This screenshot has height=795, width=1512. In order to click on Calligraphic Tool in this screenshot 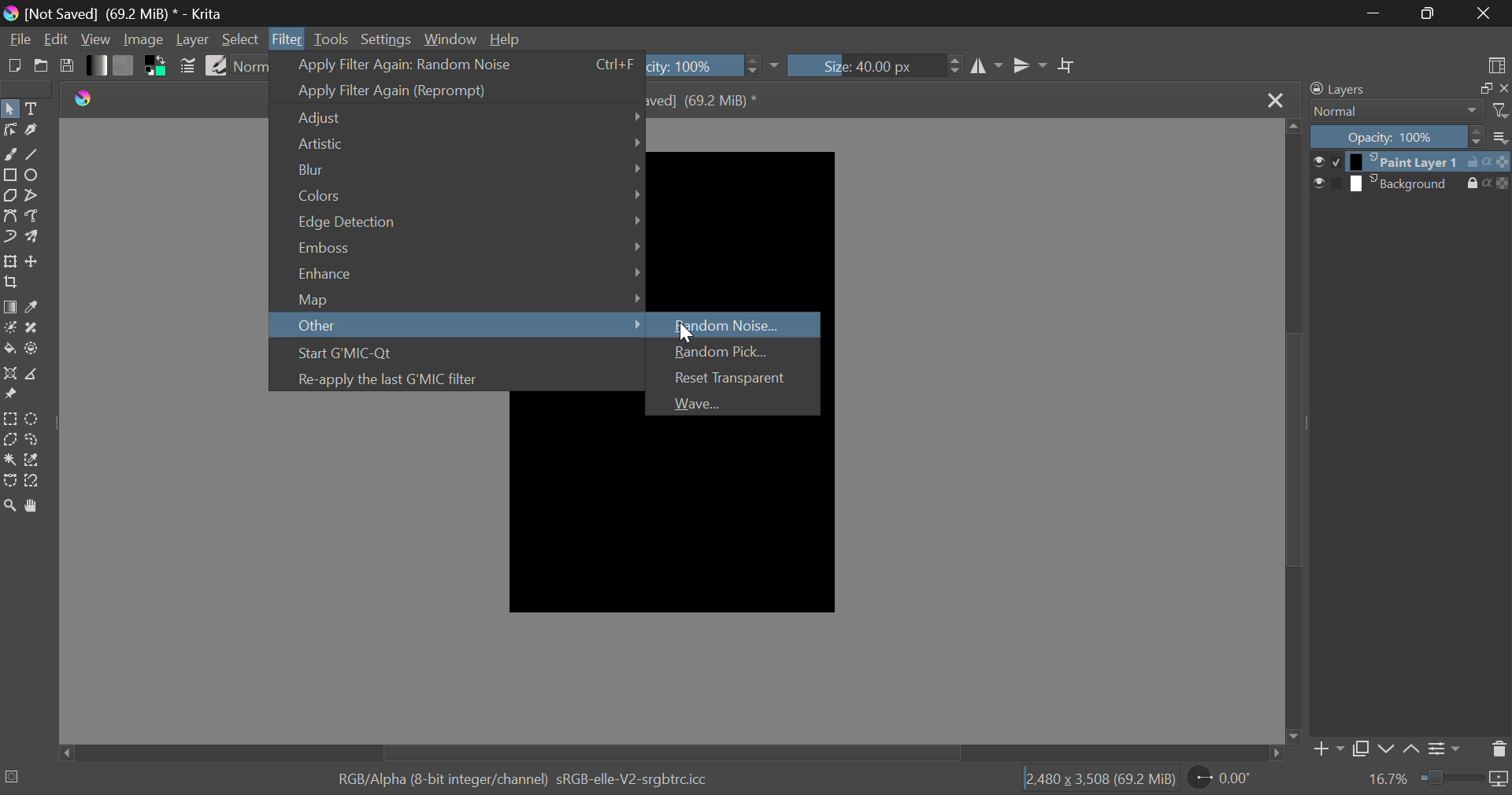, I will do `click(31, 131)`.